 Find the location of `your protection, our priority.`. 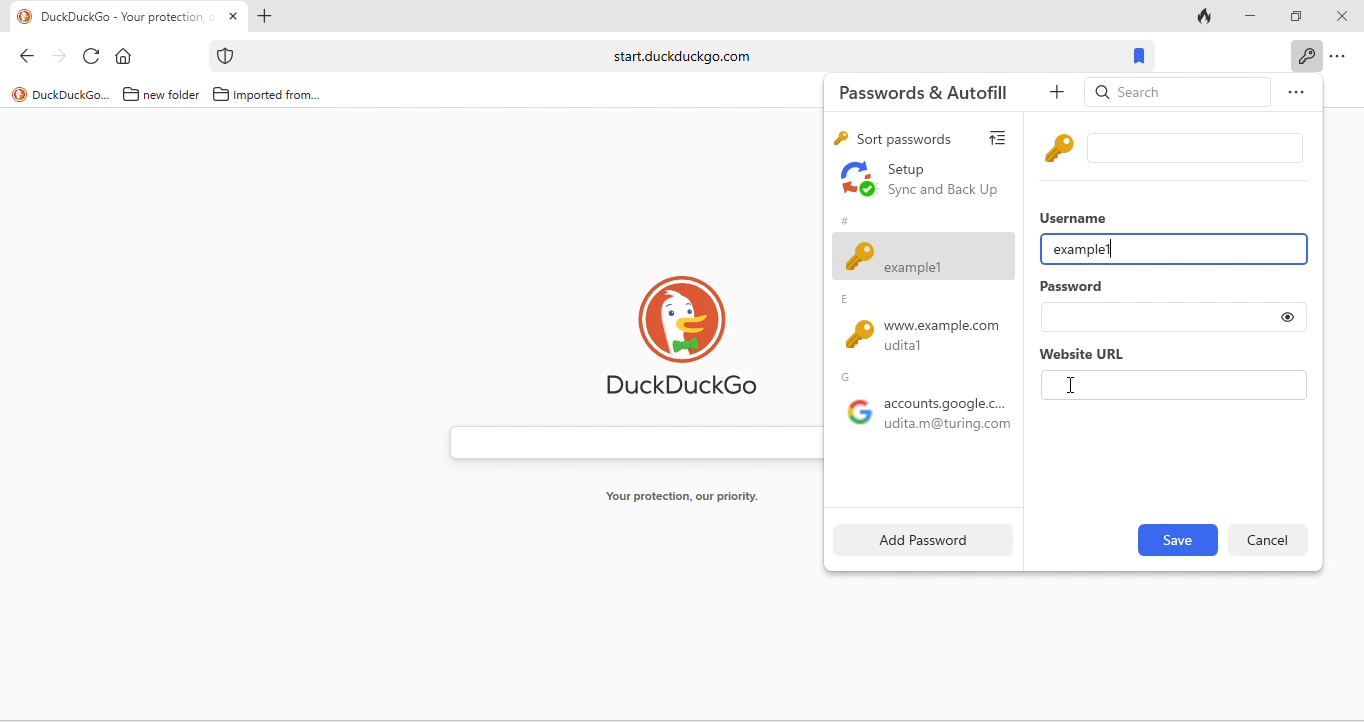

your protection, our priority. is located at coordinates (683, 497).